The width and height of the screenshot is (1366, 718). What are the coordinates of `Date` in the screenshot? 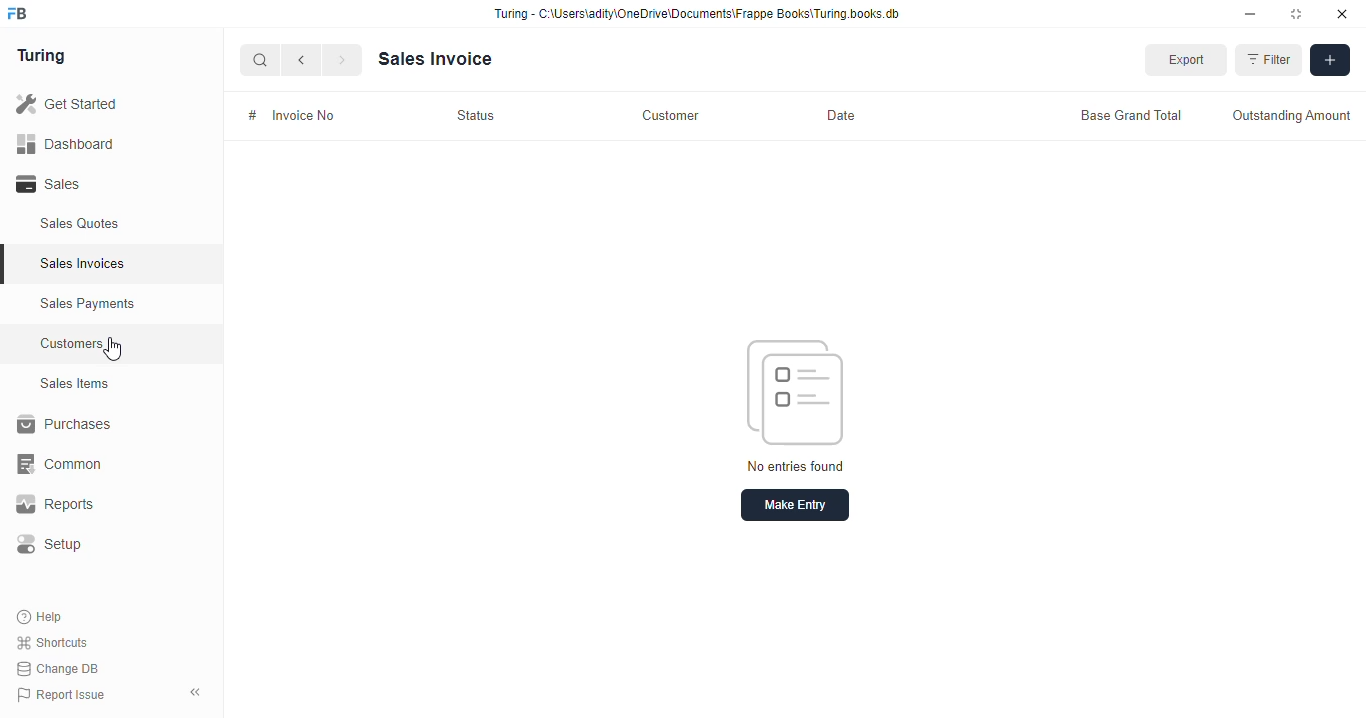 It's located at (836, 115).